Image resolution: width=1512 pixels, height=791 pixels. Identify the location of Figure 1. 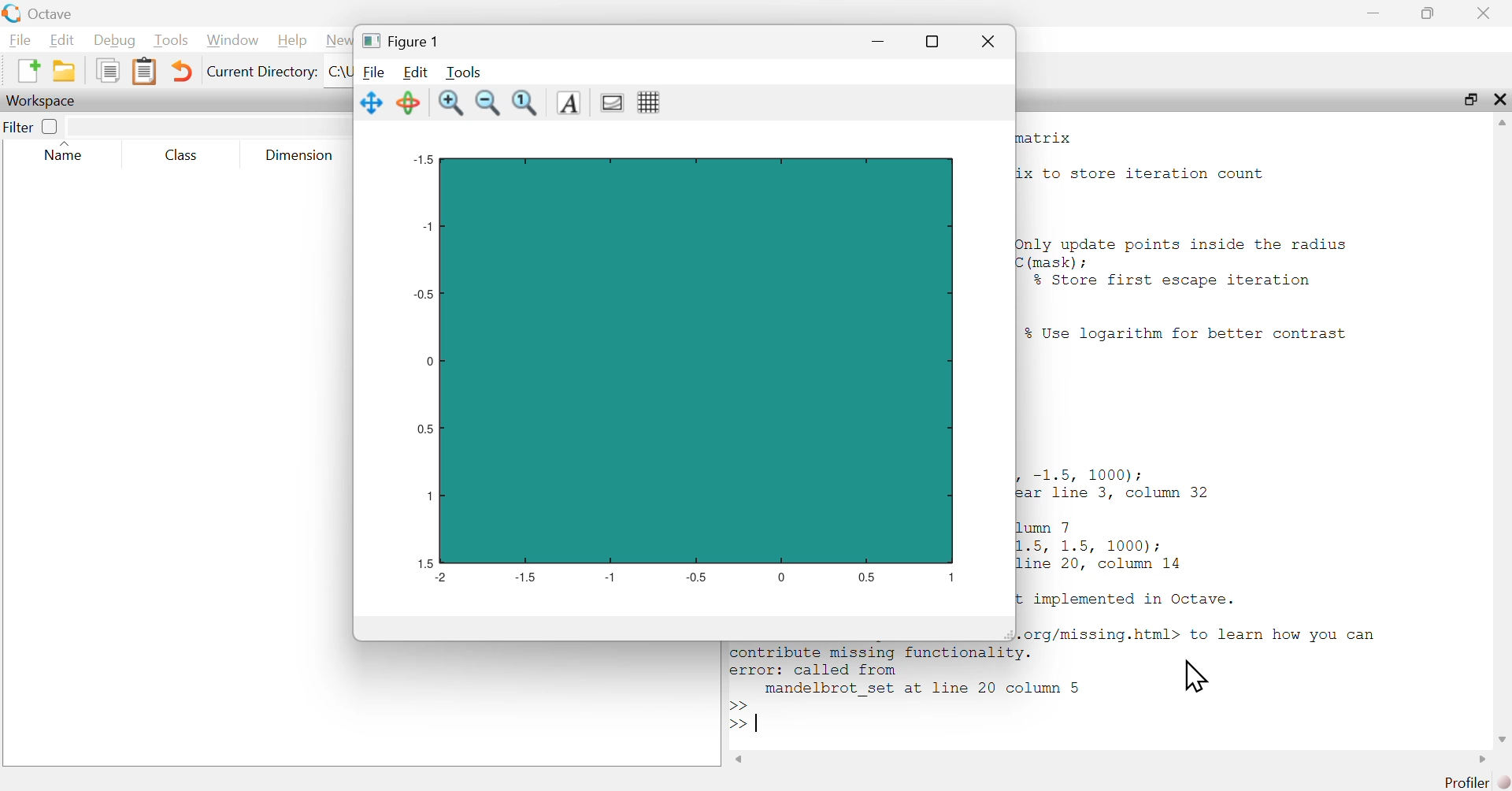
(403, 41).